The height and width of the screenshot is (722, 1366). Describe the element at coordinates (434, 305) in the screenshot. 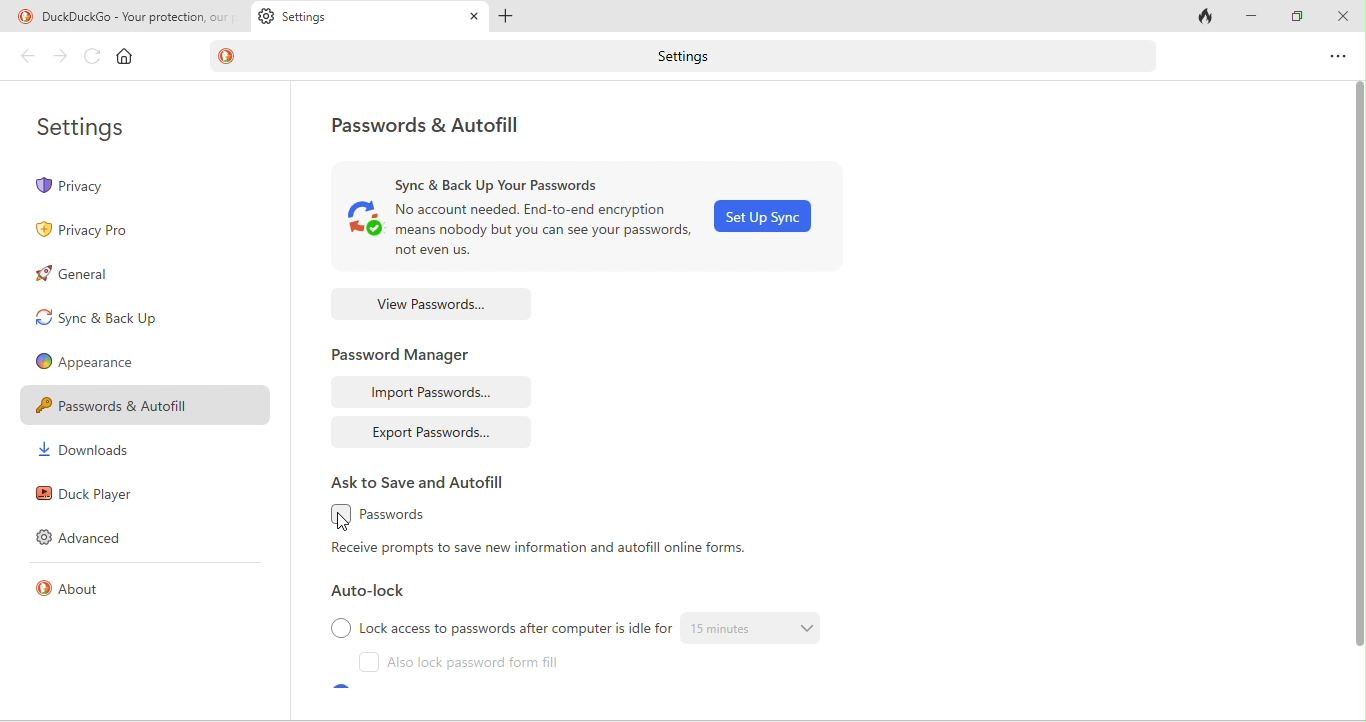

I see `view passwords` at that location.